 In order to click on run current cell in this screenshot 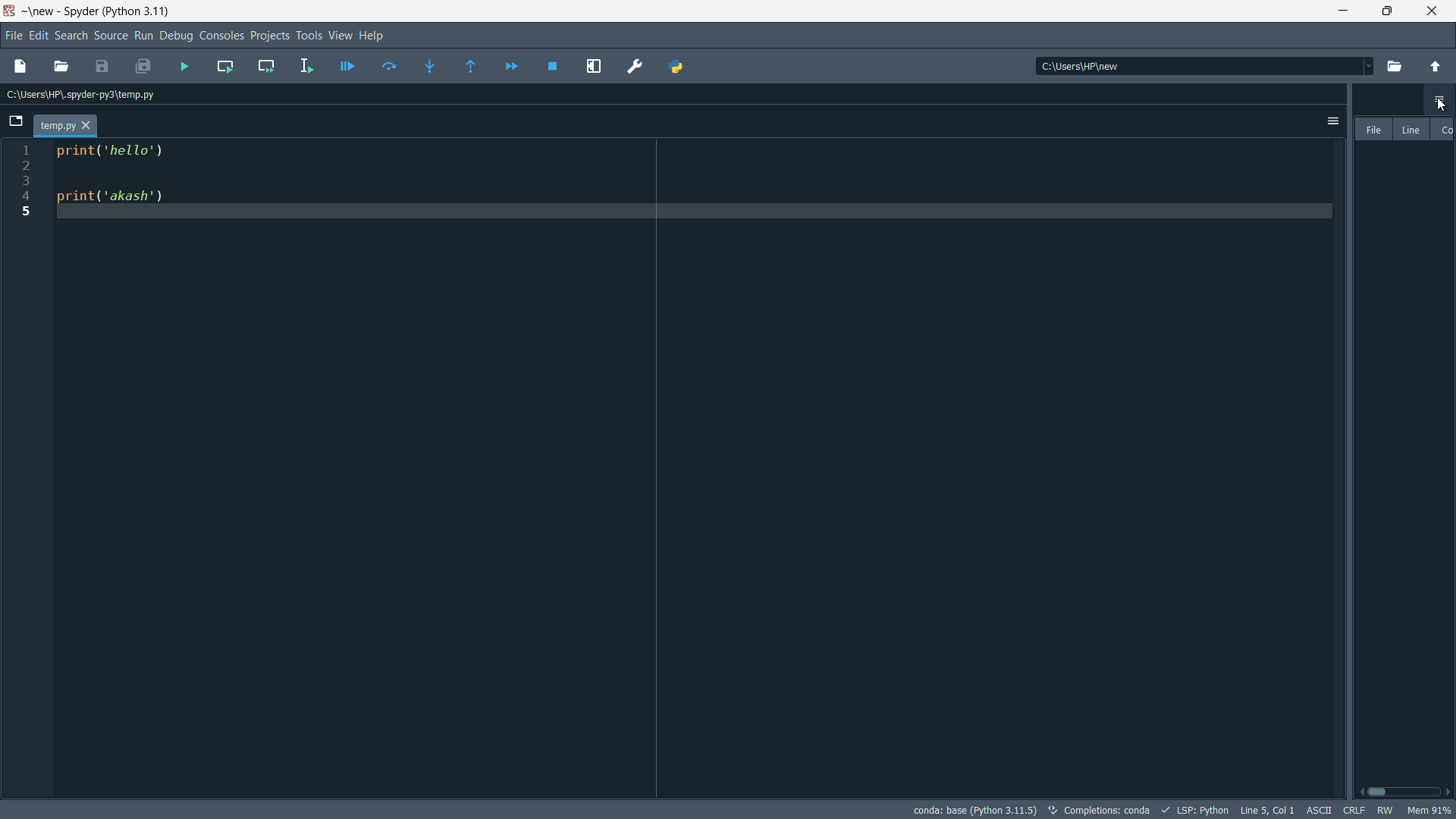, I will do `click(223, 66)`.